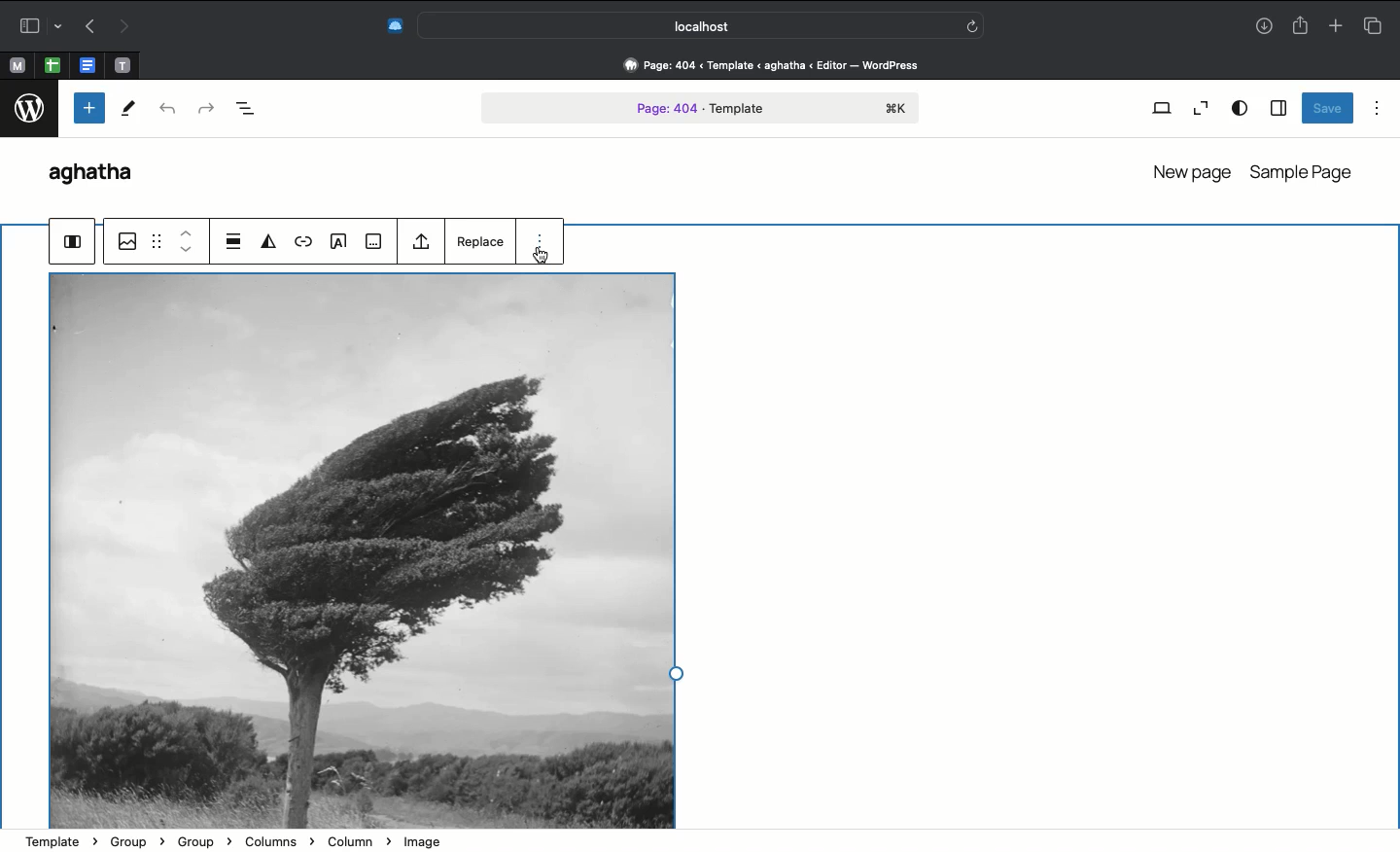 The height and width of the screenshot is (852, 1400). I want to click on Tabs, so click(1378, 23).